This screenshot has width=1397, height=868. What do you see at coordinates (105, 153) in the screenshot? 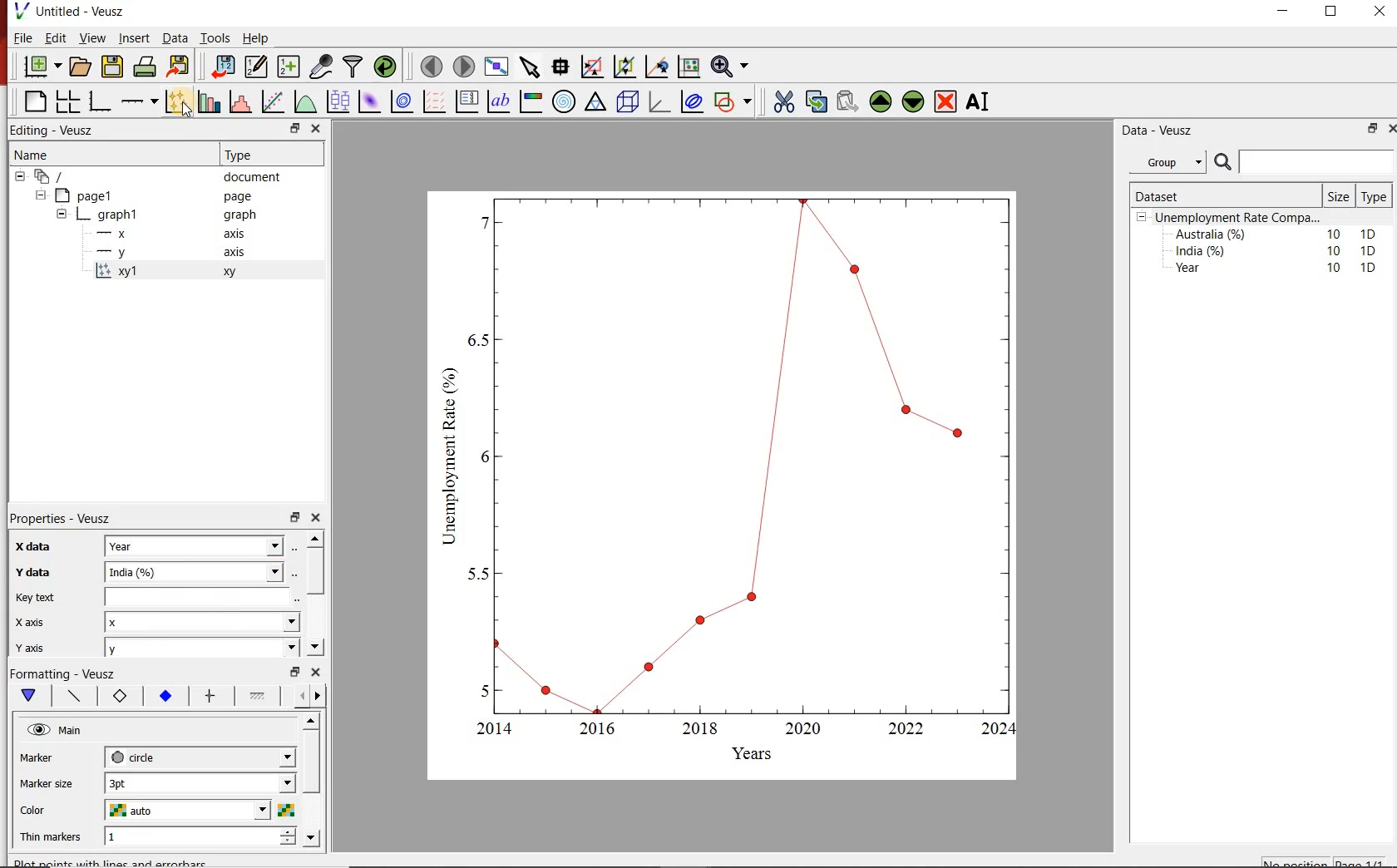
I see `Name` at bounding box center [105, 153].